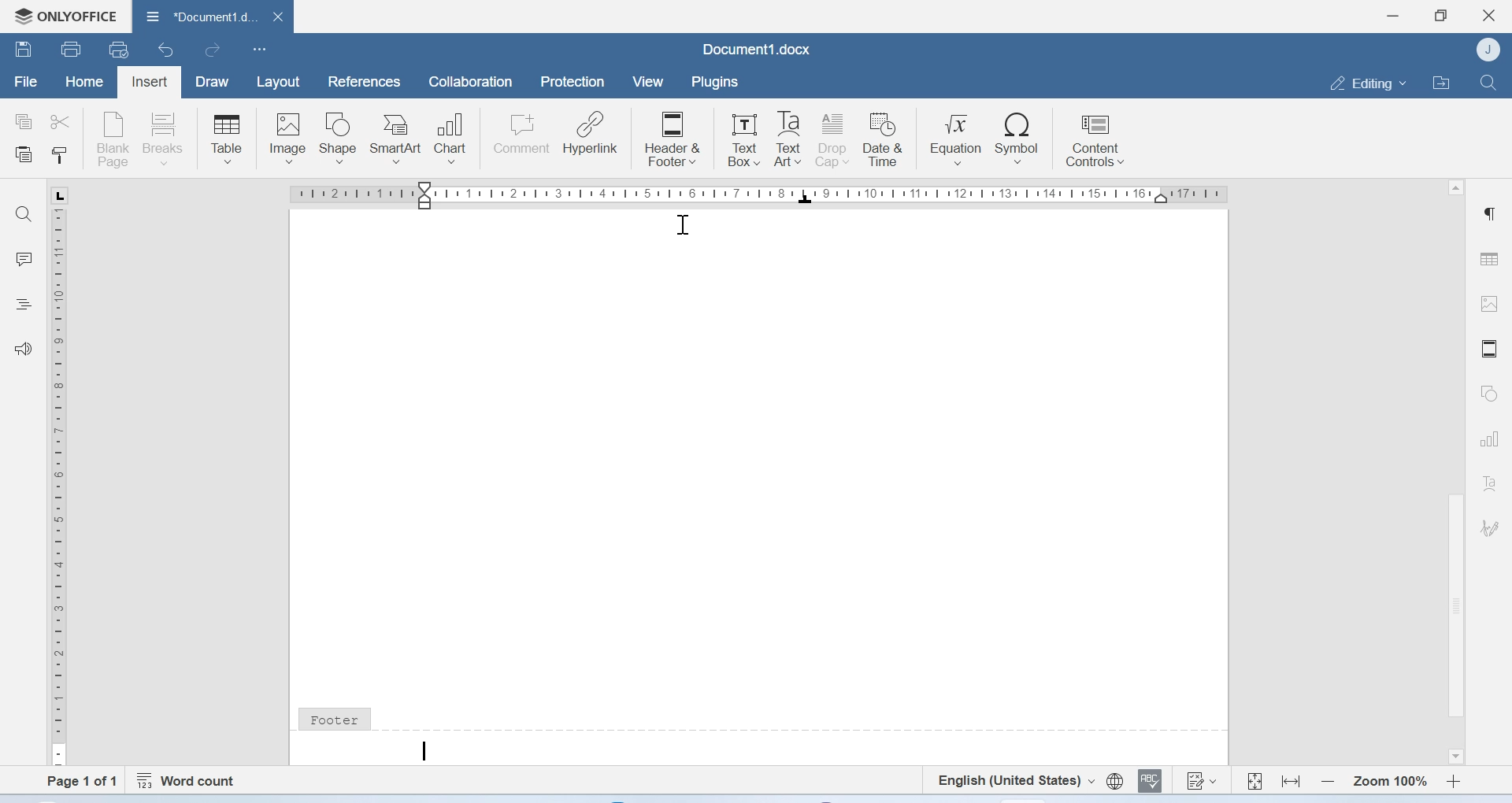  Describe the element at coordinates (762, 197) in the screenshot. I see `Scale` at that location.